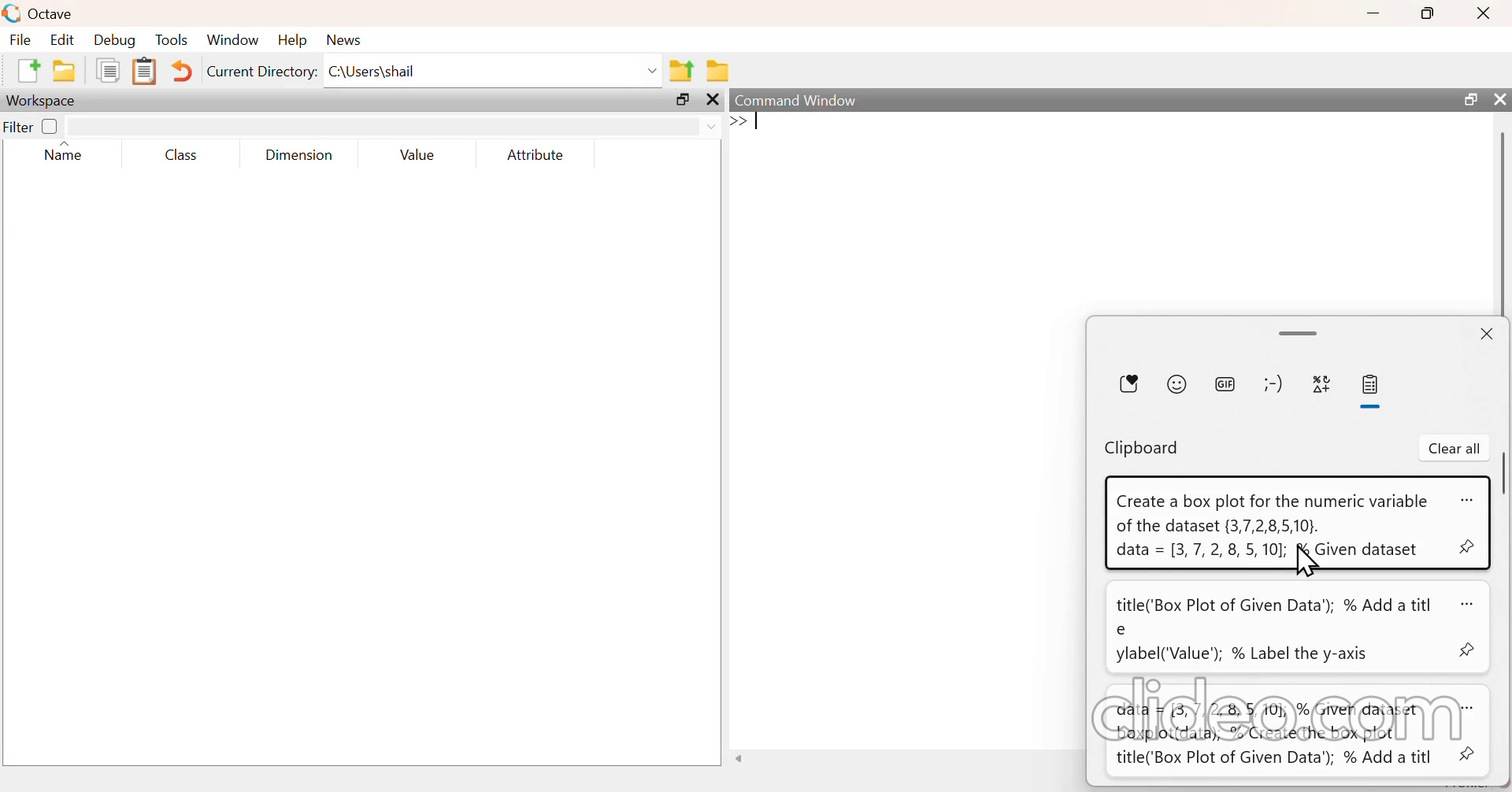 The width and height of the screenshot is (1512, 792). What do you see at coordinates (1471, 548) in the screenshot?
I see `pin` at bounding box center [1471, 548].